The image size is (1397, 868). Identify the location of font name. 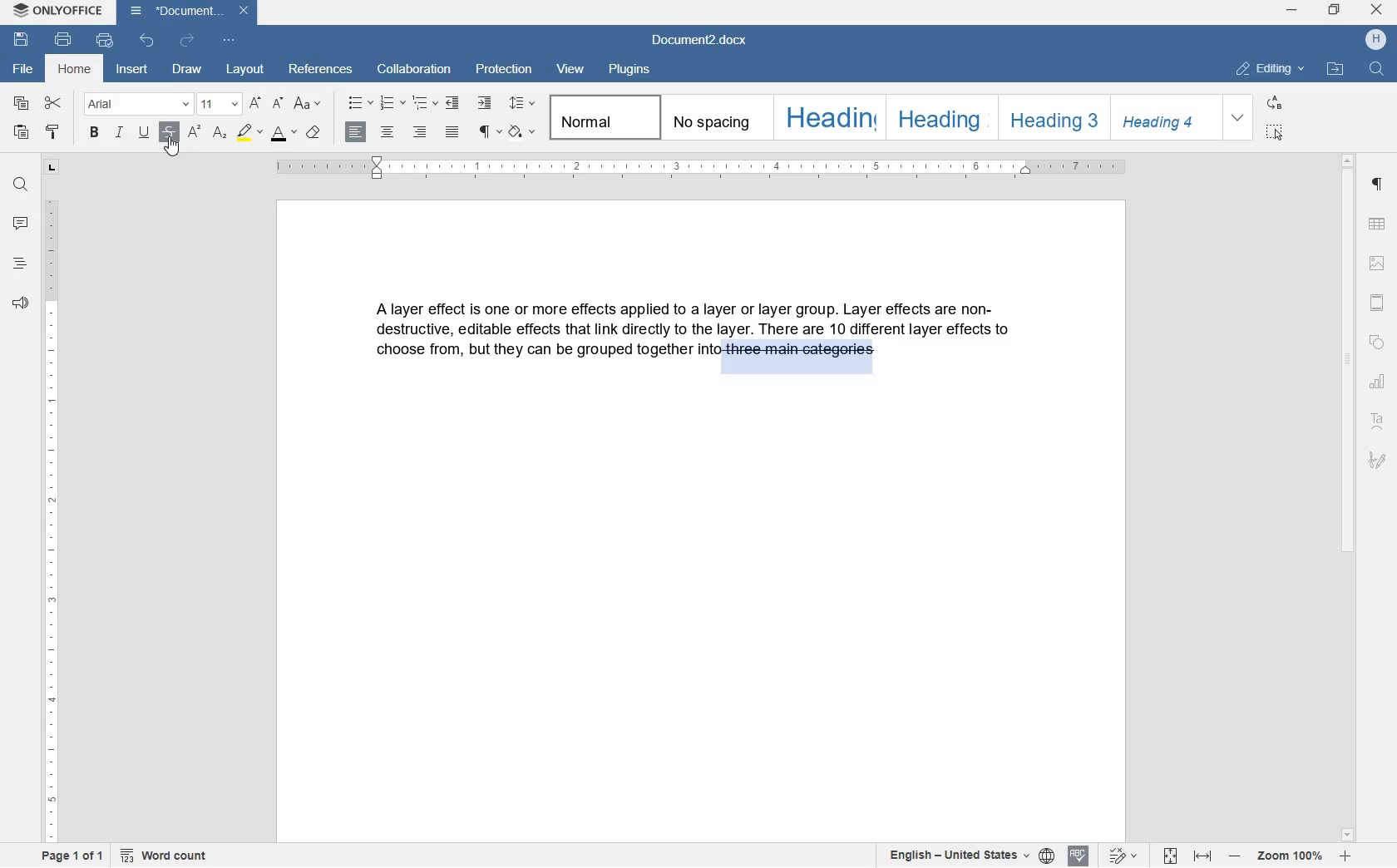
(136, 104).